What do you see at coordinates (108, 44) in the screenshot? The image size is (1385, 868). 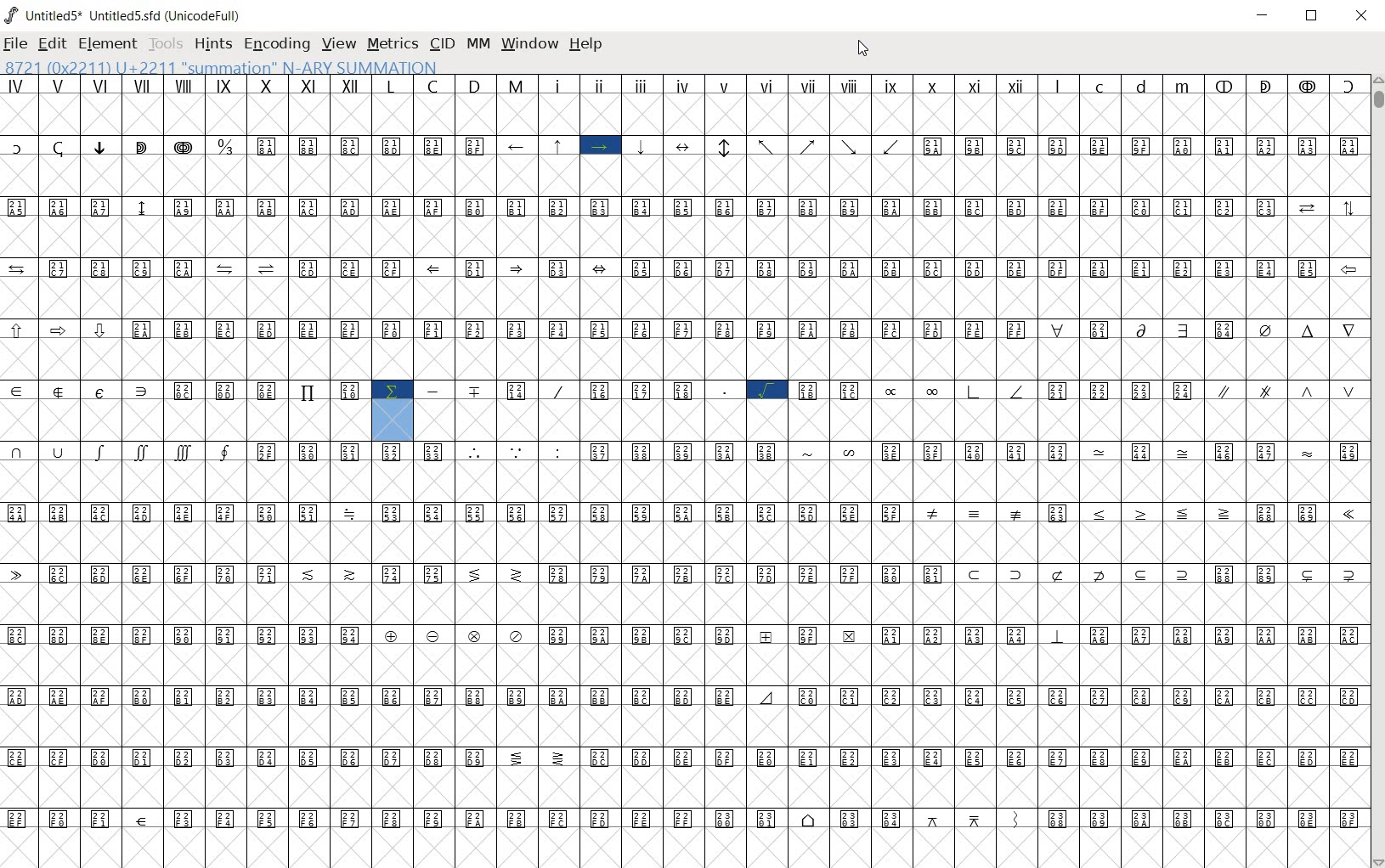 I see `ELEMENT` at bounding box center [108, 44].